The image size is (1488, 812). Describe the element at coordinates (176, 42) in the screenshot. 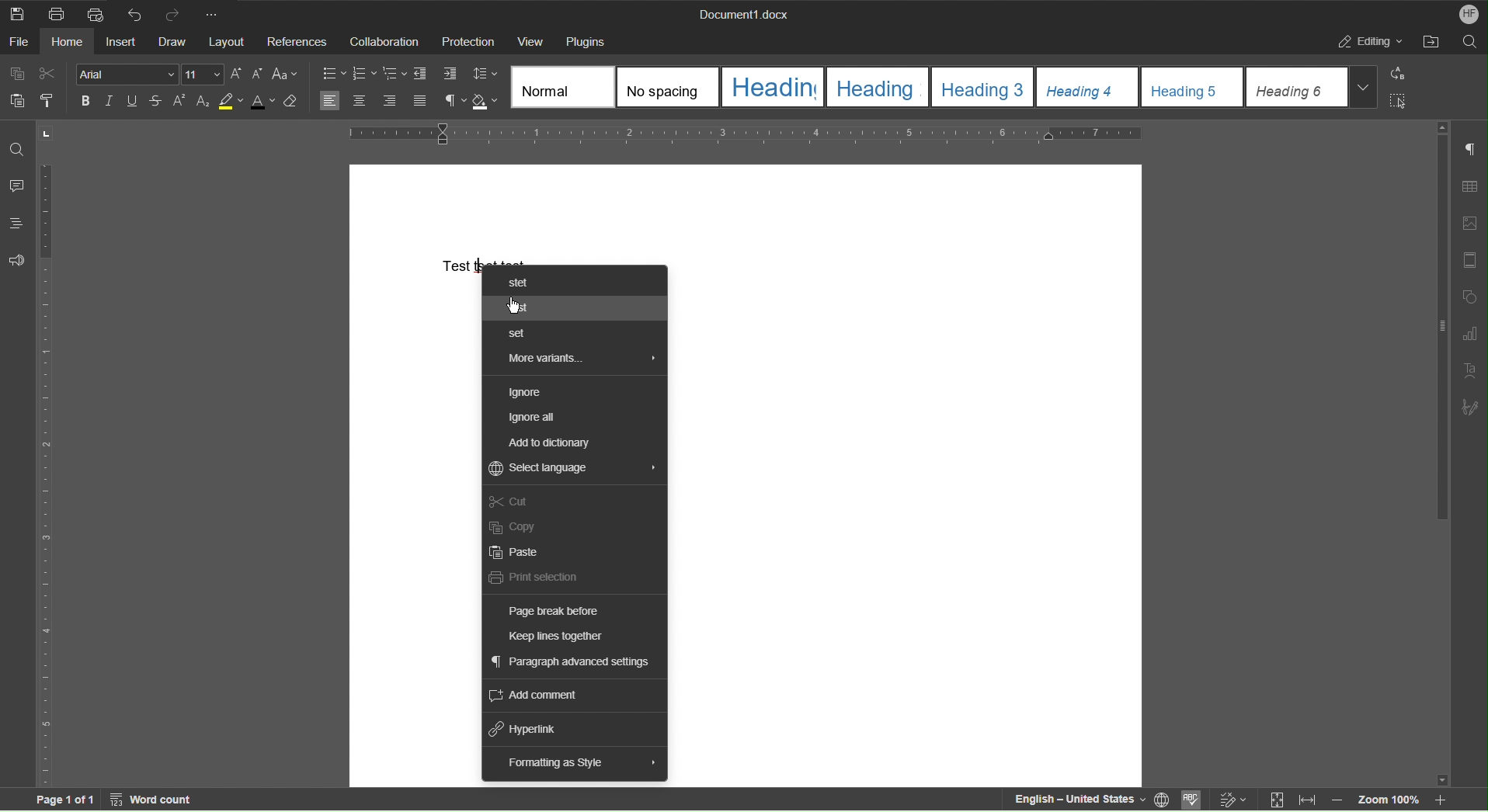

I see `Draw` at that location.